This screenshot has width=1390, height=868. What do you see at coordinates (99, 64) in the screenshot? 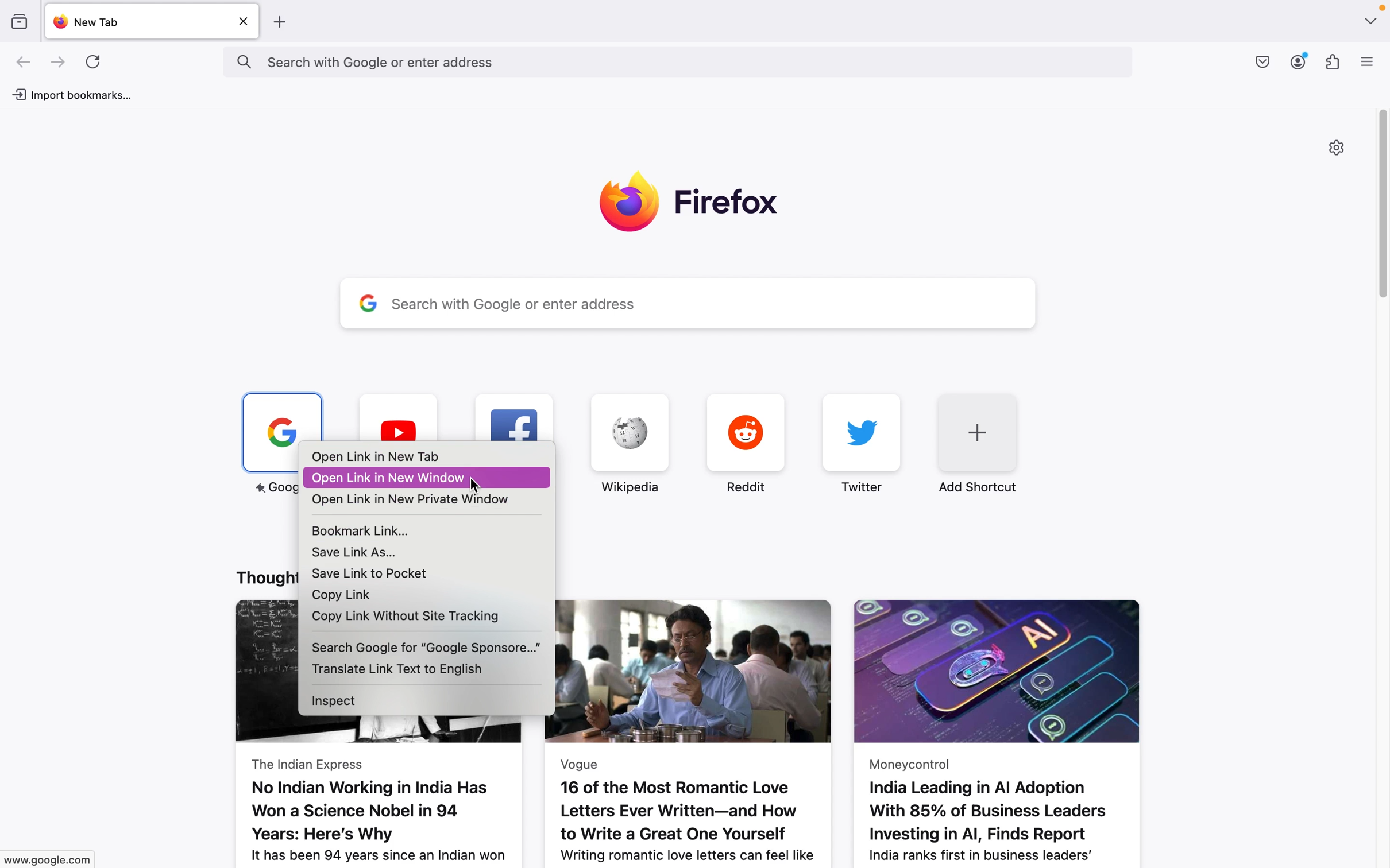
I see `refresh` at bounding box center [99, 64].